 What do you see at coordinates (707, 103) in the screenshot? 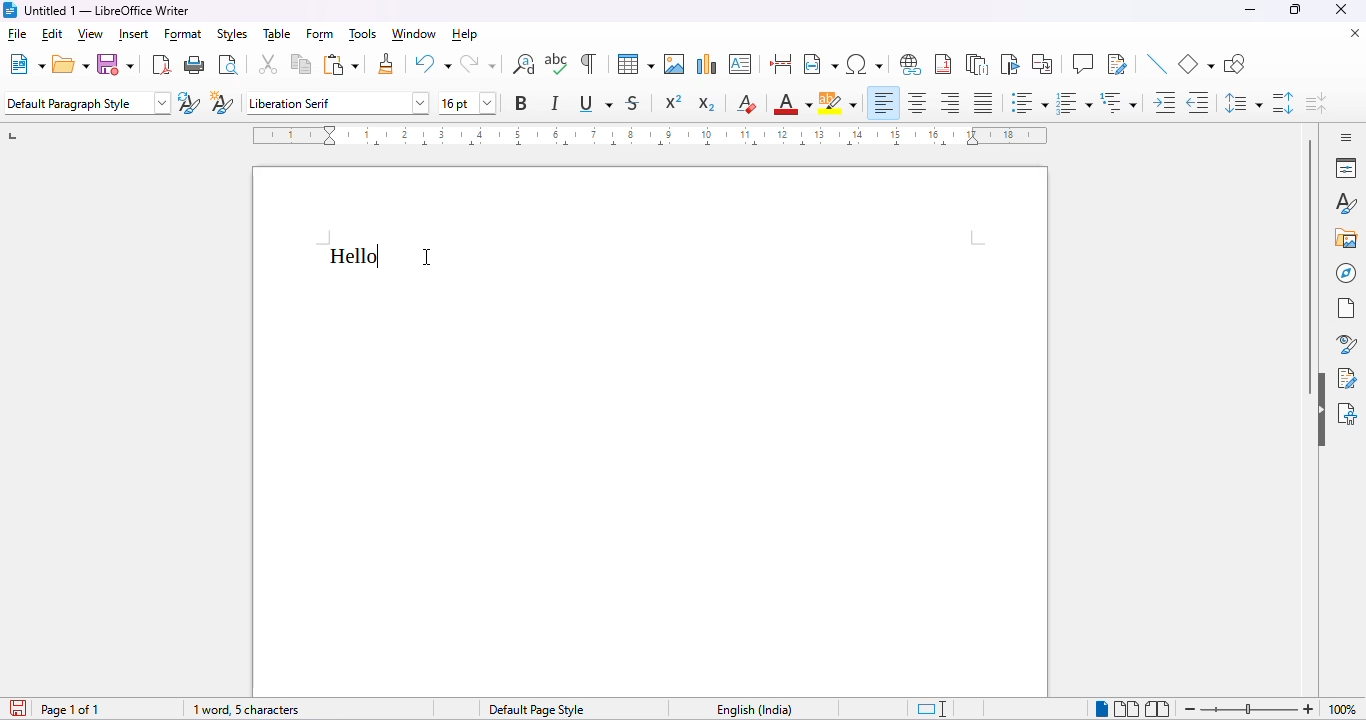
I see `subscript` at bounding box center [707, 103].